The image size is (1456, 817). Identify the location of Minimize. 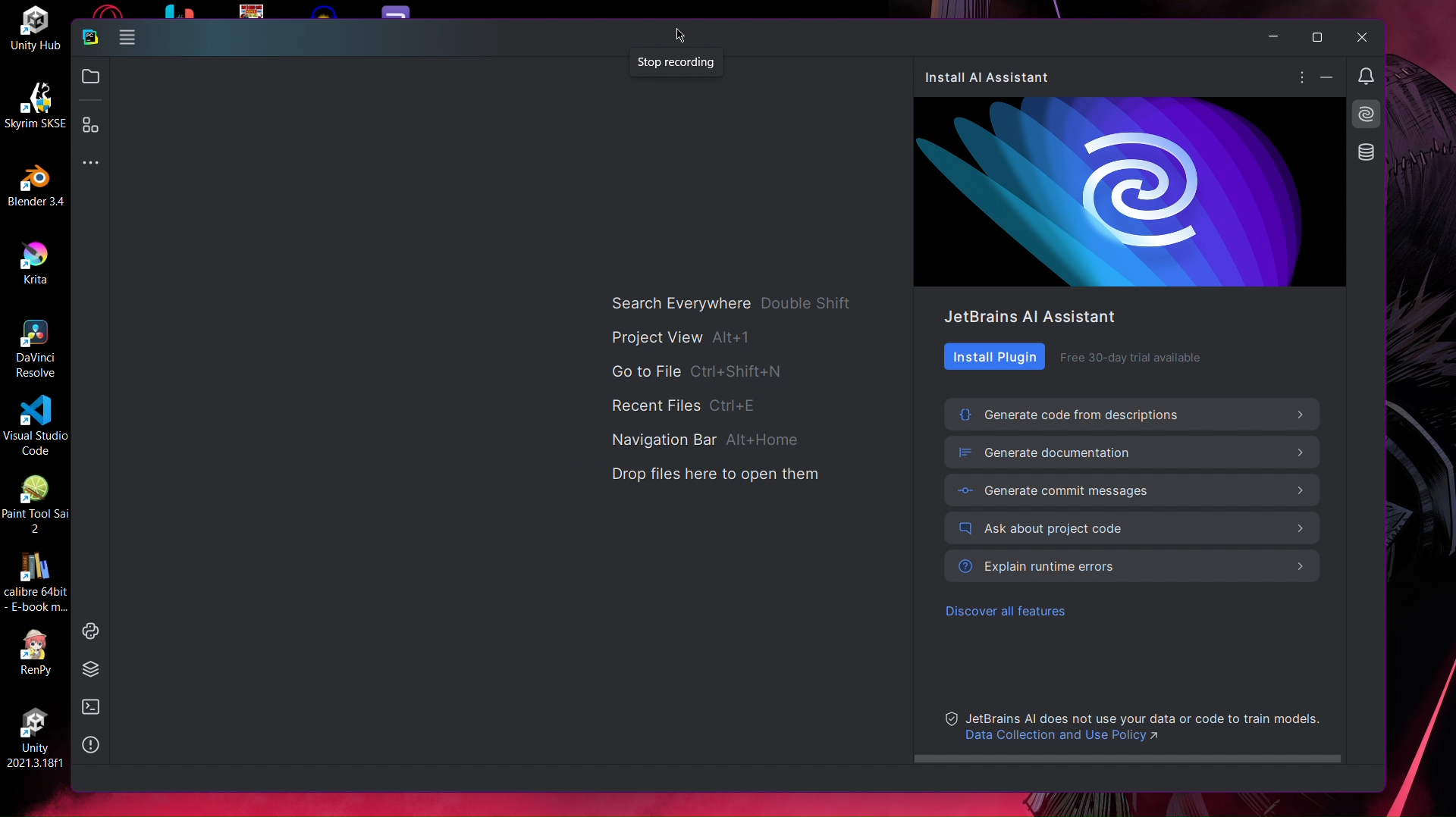
(1330, 78).